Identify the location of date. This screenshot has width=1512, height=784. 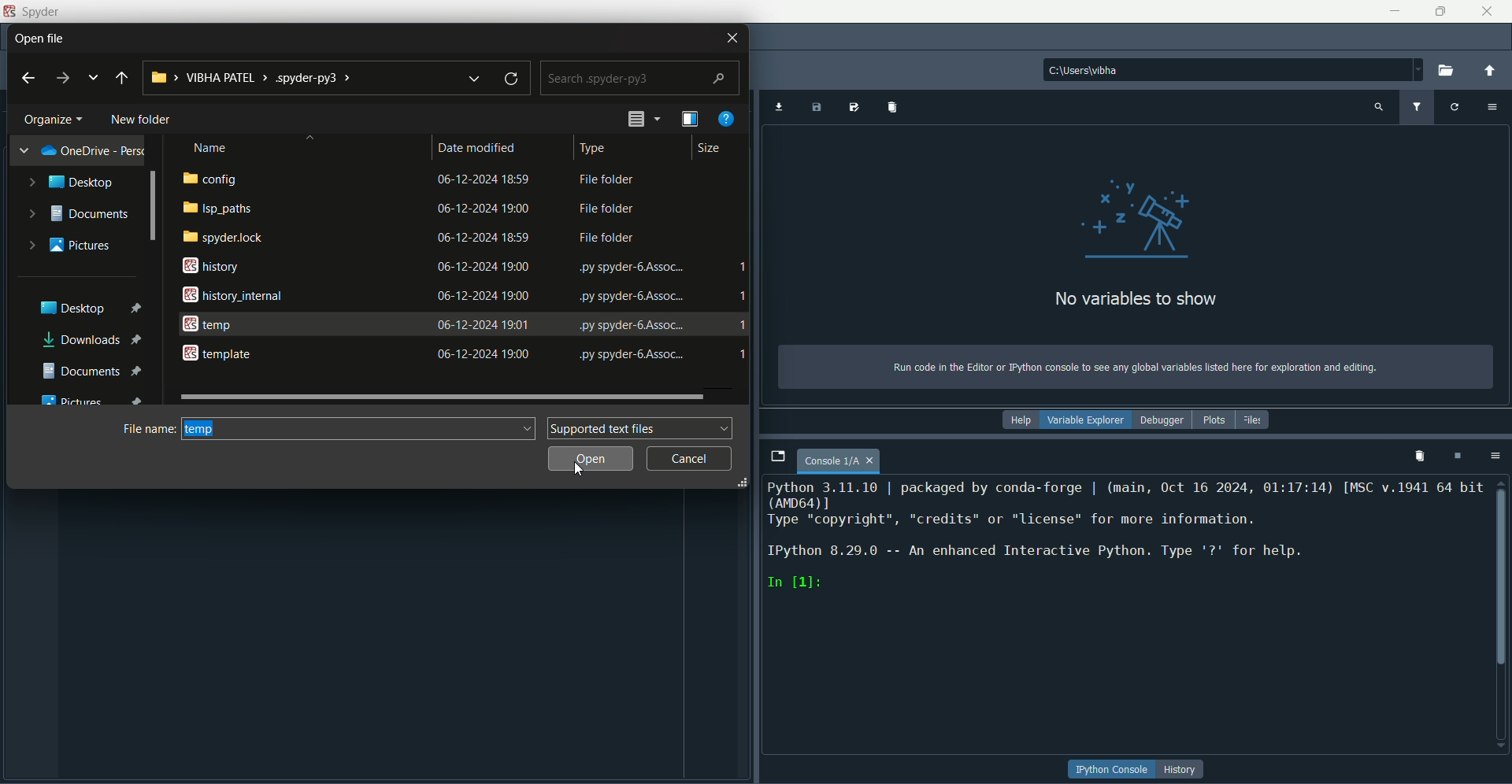
(484, 179).